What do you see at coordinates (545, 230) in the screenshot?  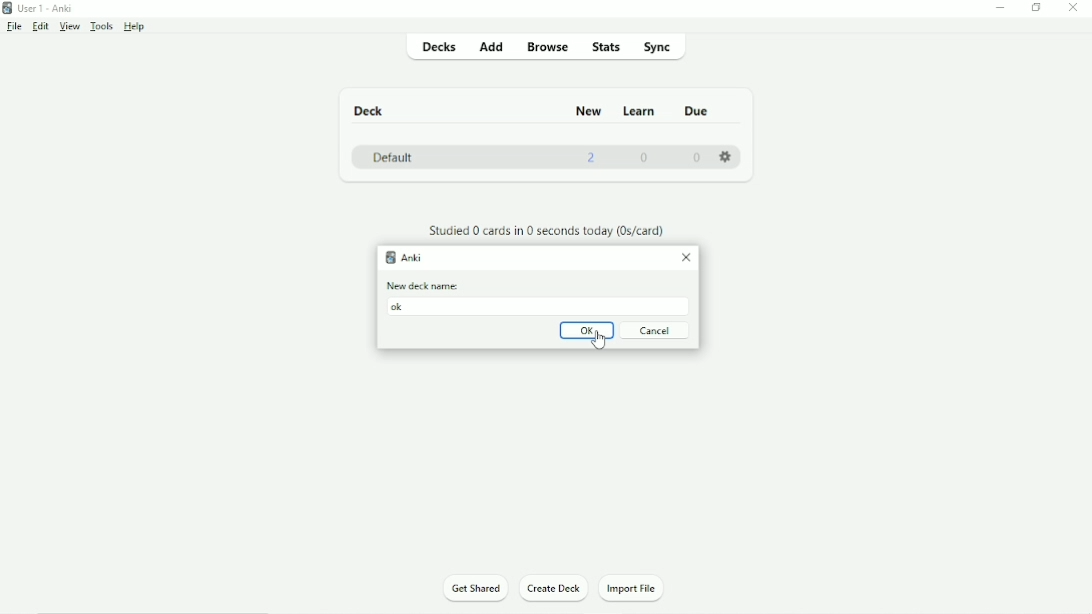 I see `Studied 0 cards in 0 seconds today.` at bounding box center [545, 230].